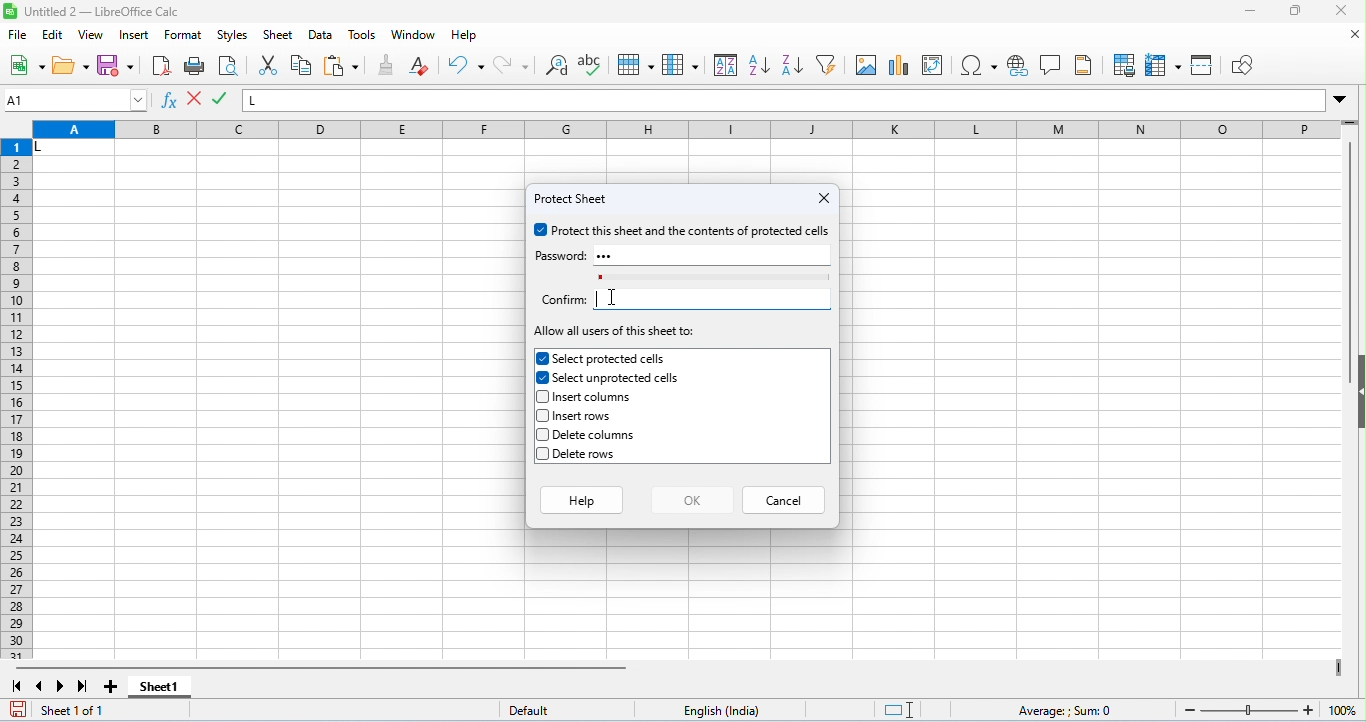 Image resolution: width=1366 pixels, height=722 pixels. I want to click on horizontal scroll bar, so click(326, 668).